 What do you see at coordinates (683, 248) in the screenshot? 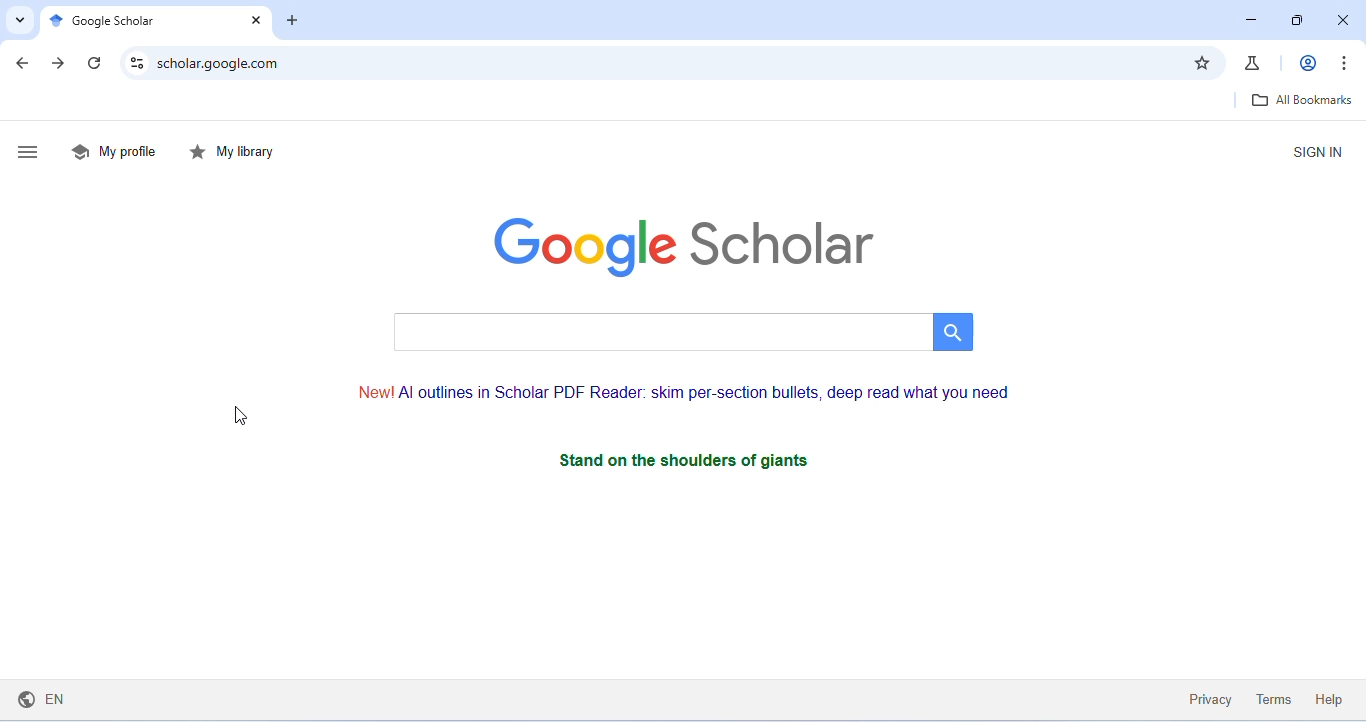
I see `google scholar logo` at bounding box center [683, 248].